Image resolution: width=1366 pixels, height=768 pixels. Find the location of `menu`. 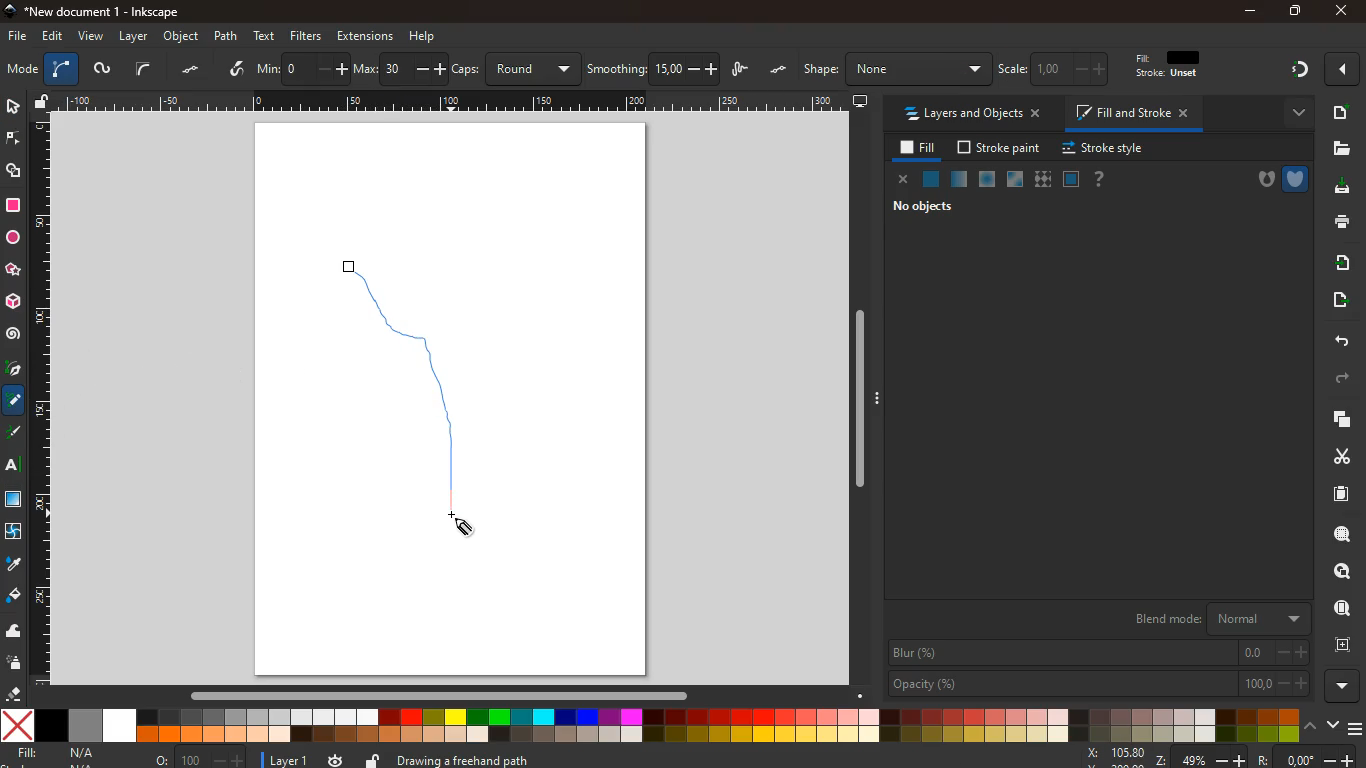

menu is located at coordinates (1357, 726).